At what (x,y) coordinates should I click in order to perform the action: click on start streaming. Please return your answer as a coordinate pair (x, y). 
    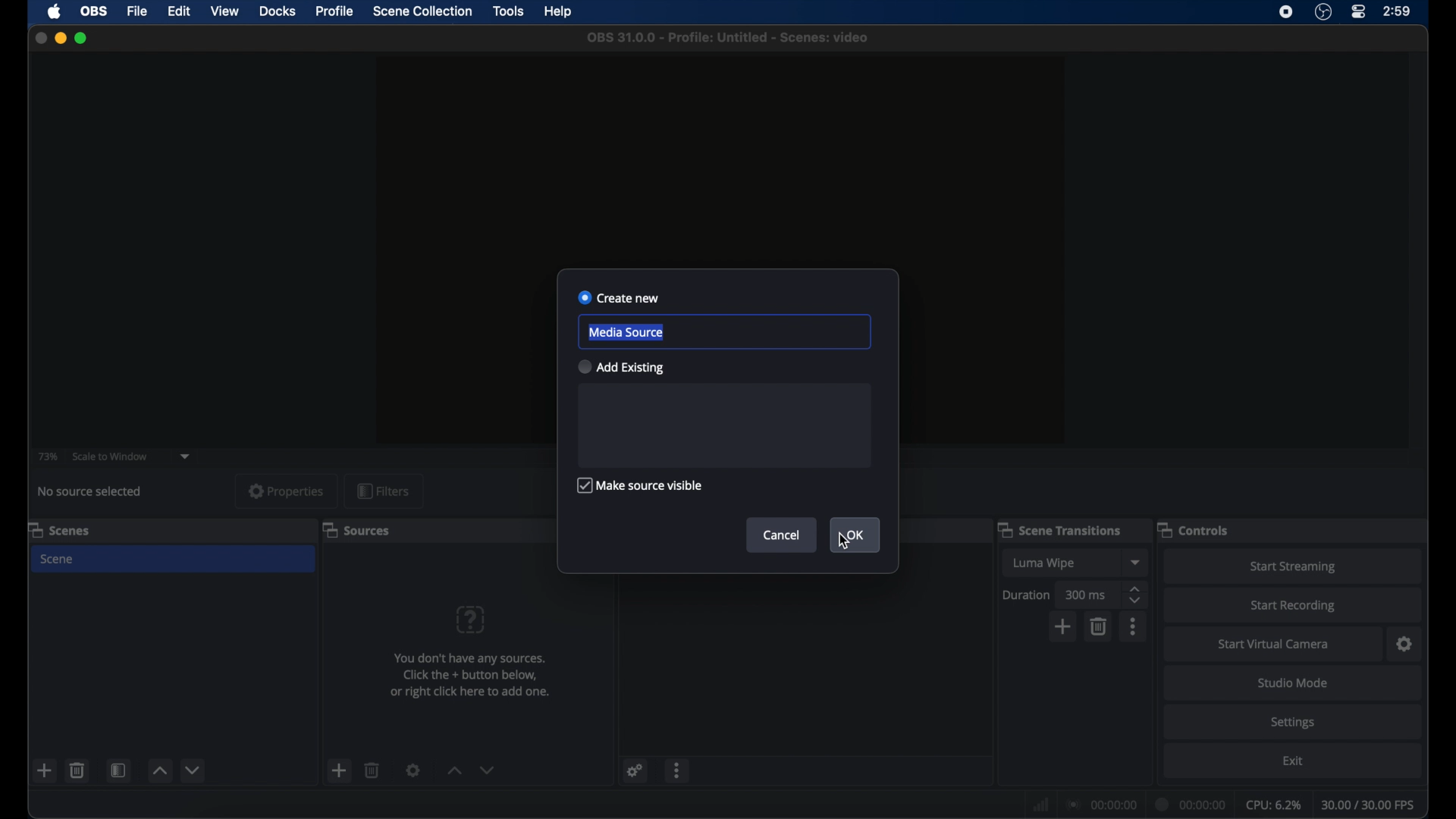
    Looking at the image, I should click on (1294, 566).